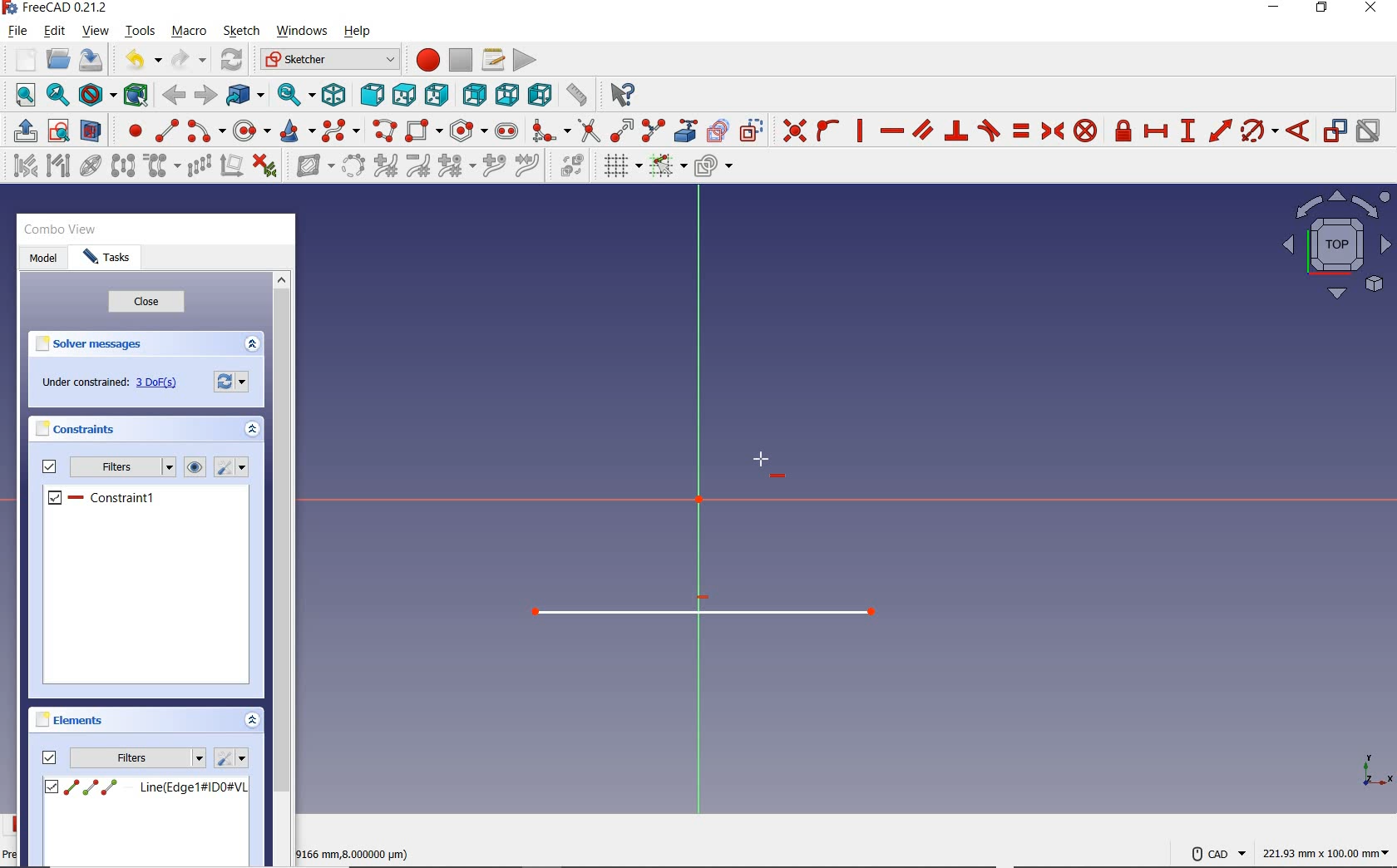  Describe the element at coordinates (59, 165) in the screenshot. I see `SELECT ASSOCIATED GEOMETRY` at that location.